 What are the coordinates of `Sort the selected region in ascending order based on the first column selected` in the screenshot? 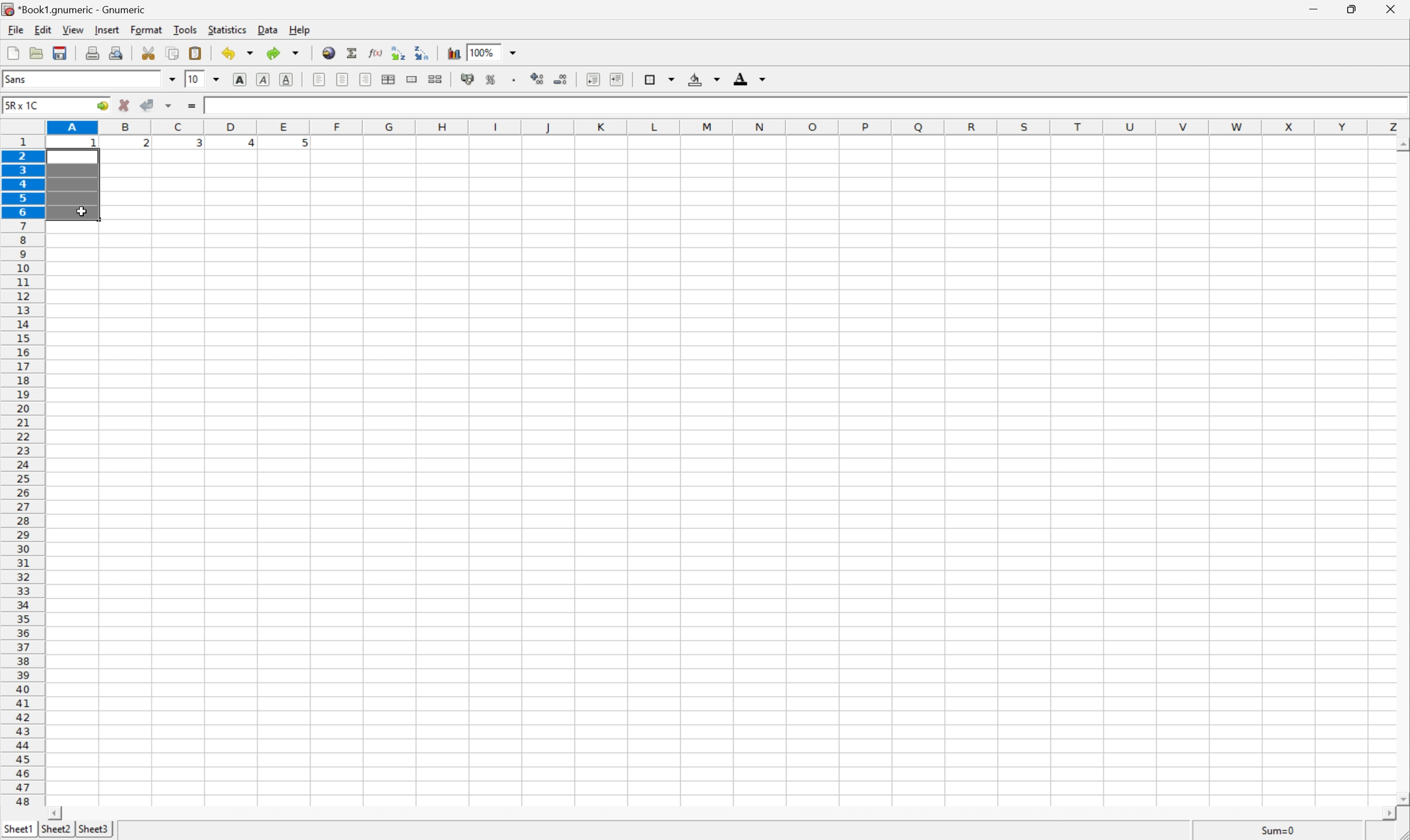 It's located at (399, 51).